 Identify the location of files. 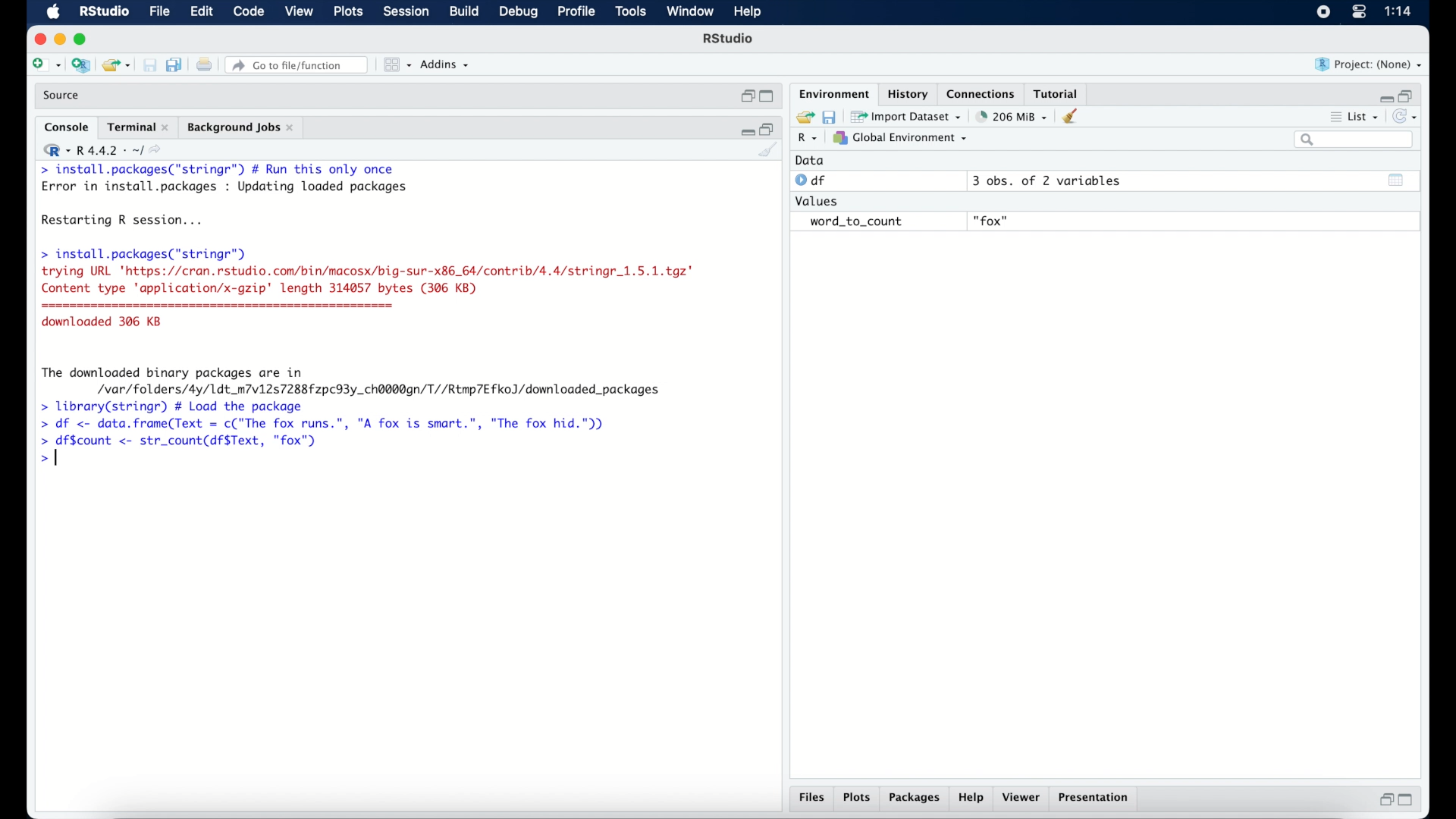
(814, 798).